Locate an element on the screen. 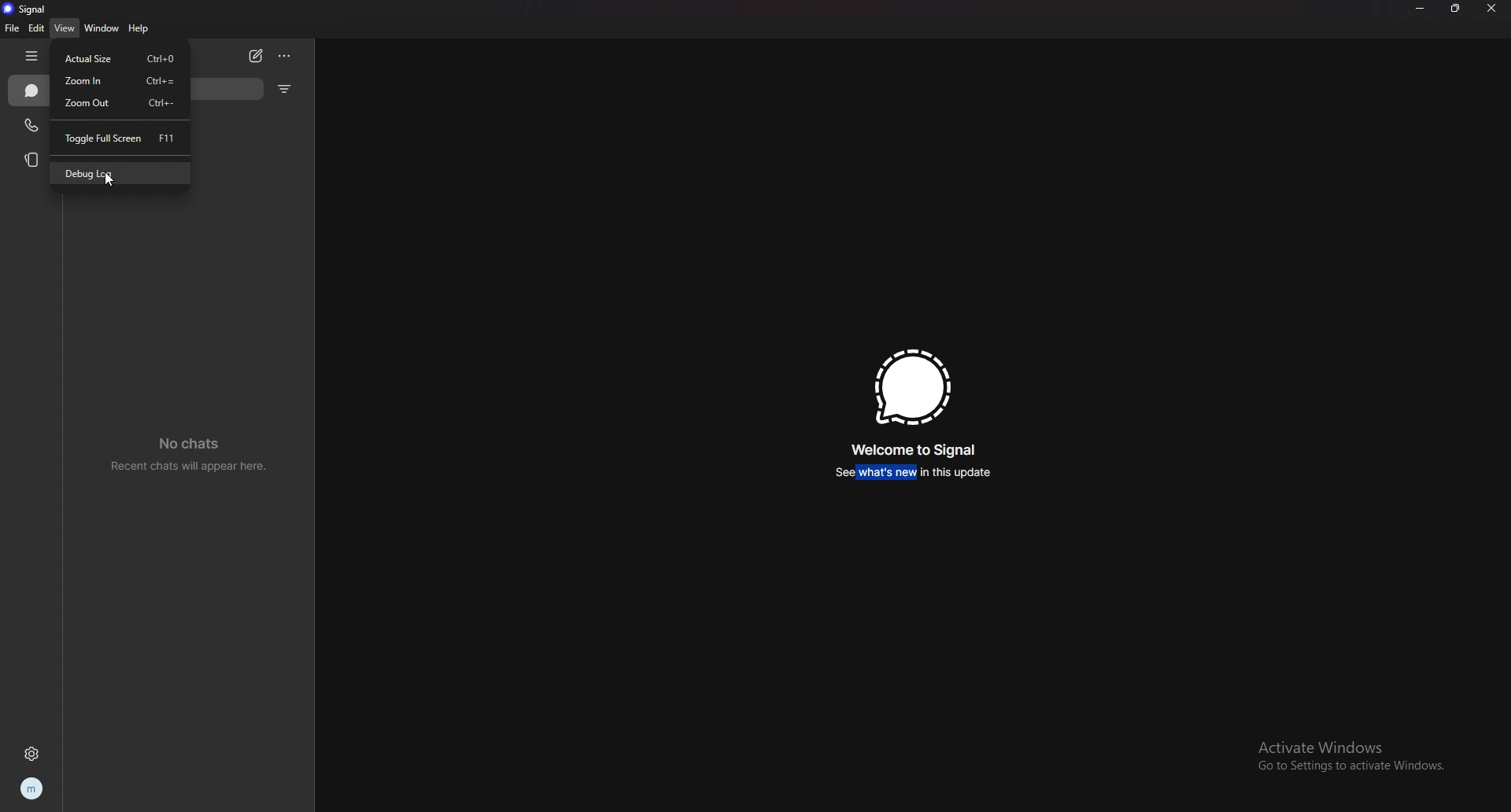 Image resolution: width=1511 pixels, height=812 pixels. profile is located at coordinates (30, 787).